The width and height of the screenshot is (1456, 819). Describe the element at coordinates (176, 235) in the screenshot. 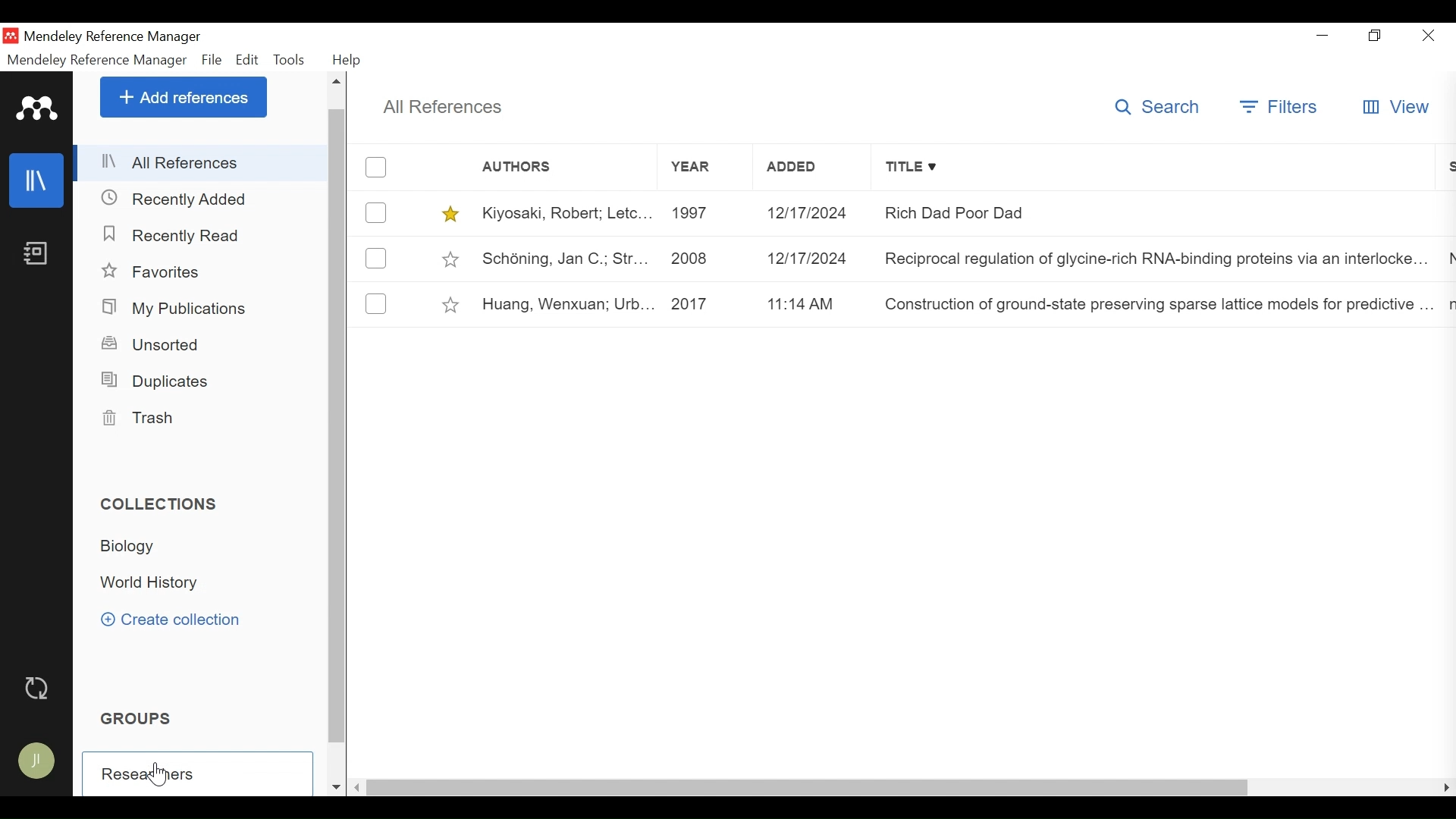

I see `Recently Added` at that location.